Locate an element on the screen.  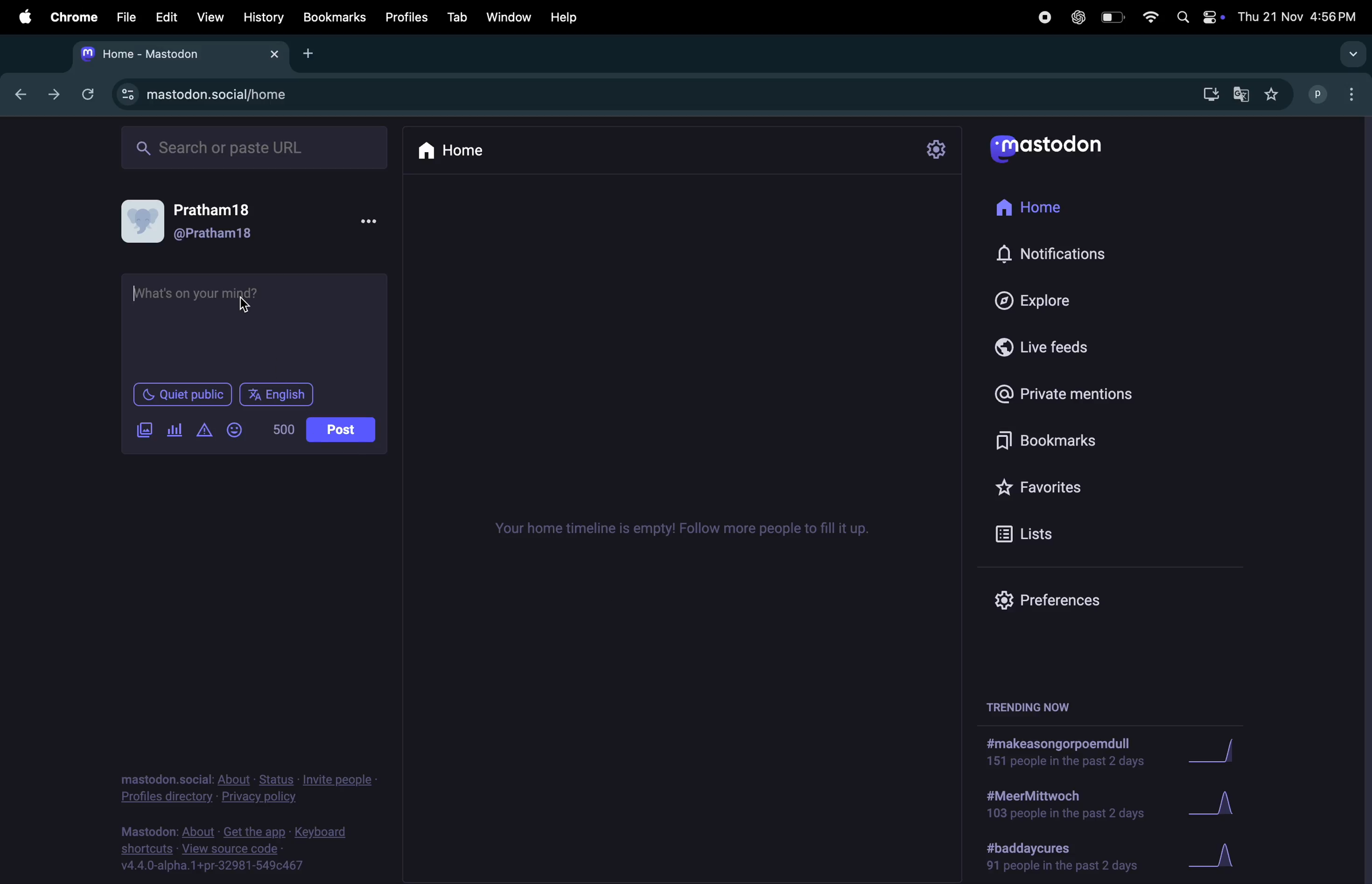
hashtag is located at coordinates (1066, 858).